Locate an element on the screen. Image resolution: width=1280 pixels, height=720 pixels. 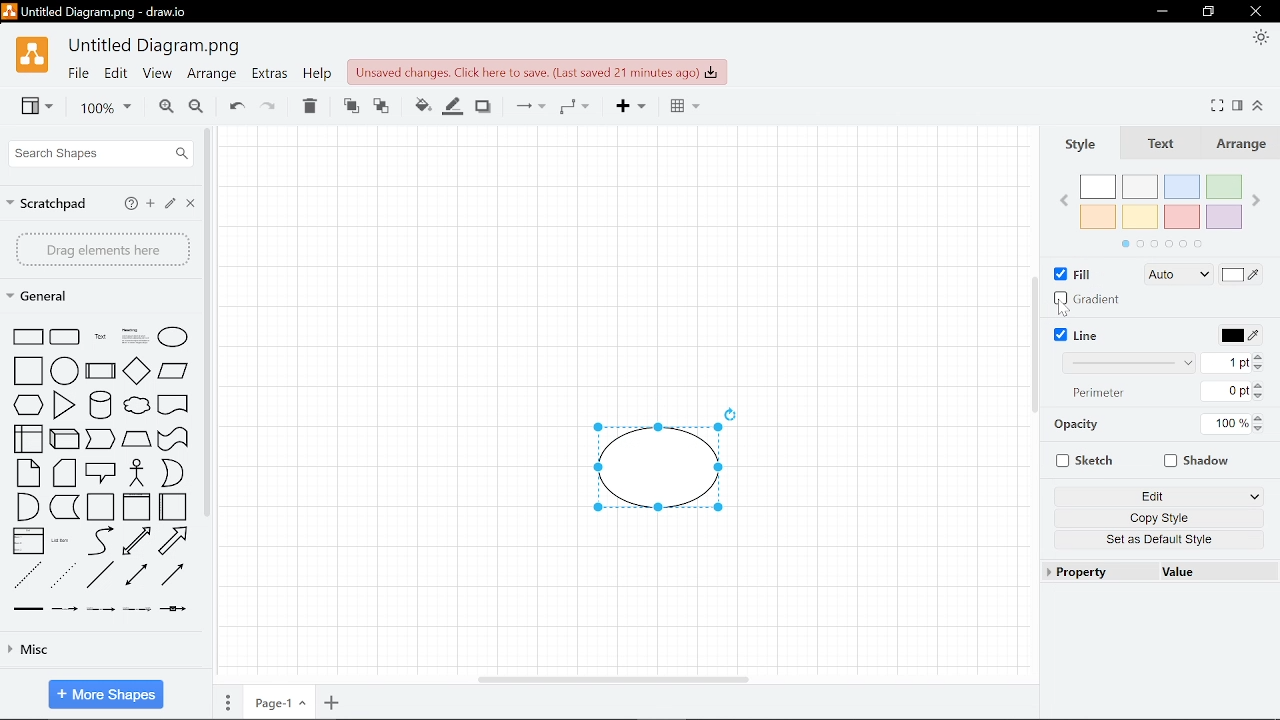
More shapes is located at coordinates (106, 693).